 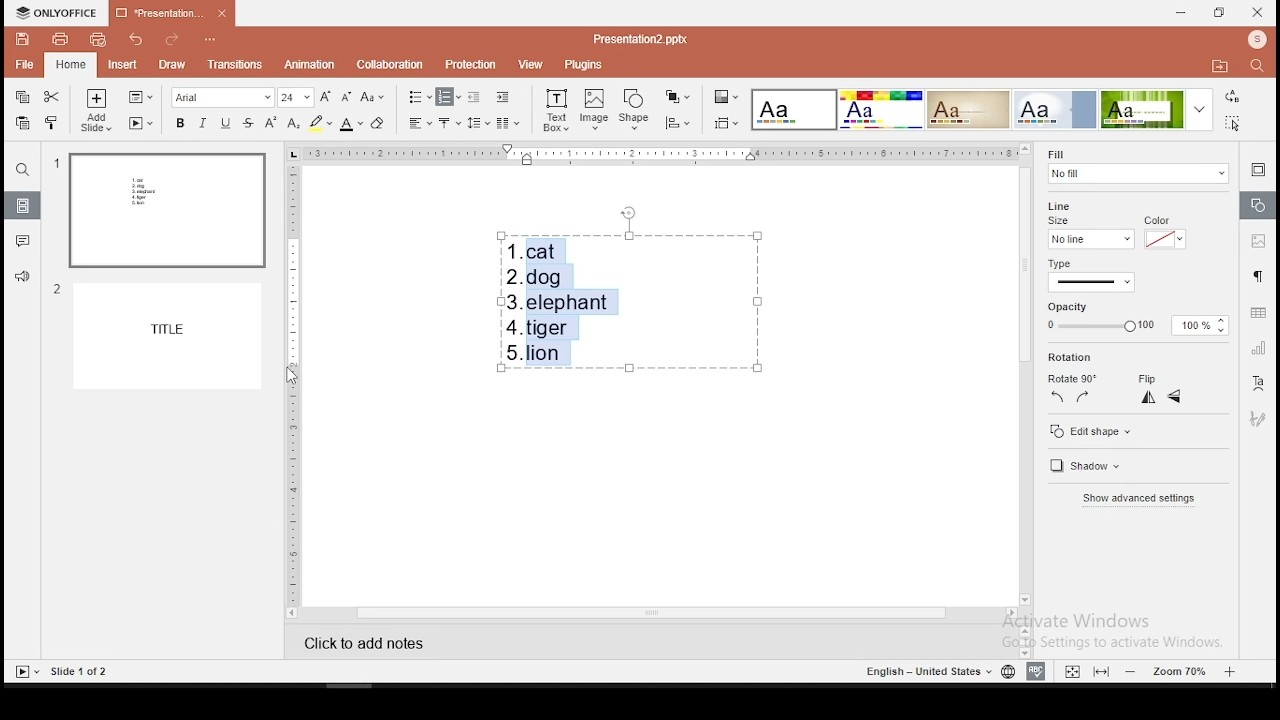 I want to click on home, so click(x=69, y=62).